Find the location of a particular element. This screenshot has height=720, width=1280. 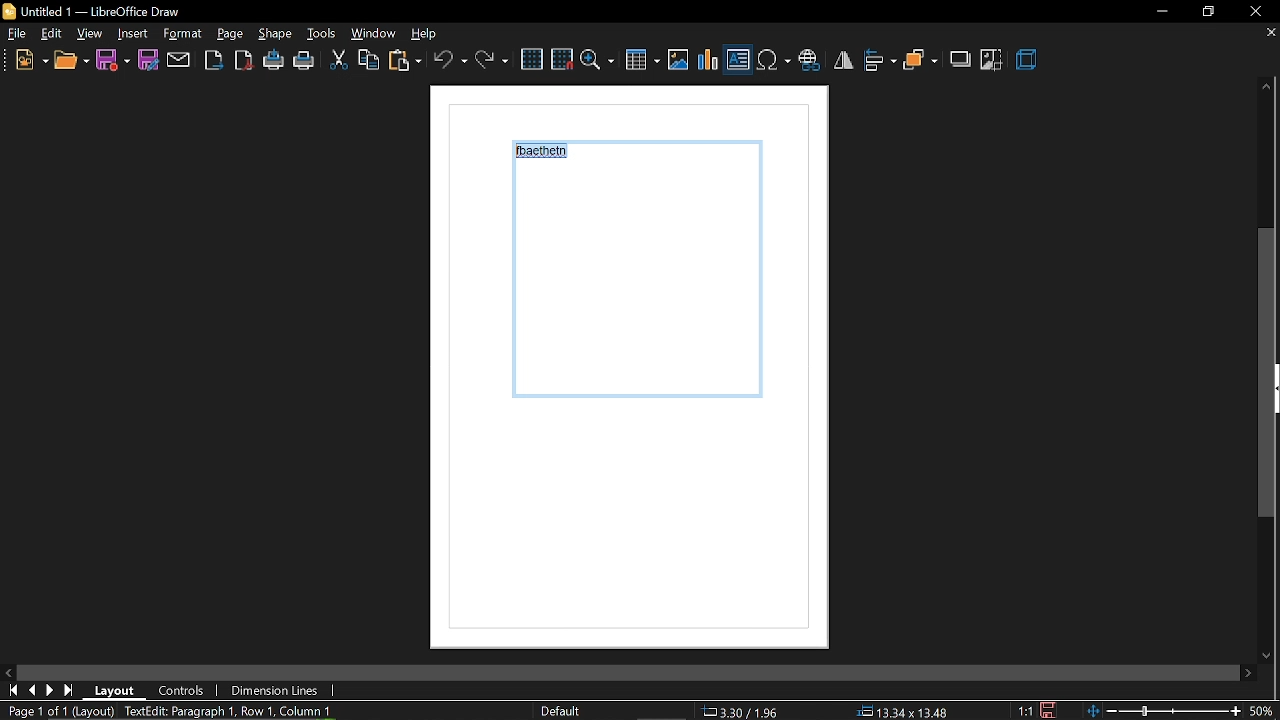

grid is located at coordinates (531, 60).